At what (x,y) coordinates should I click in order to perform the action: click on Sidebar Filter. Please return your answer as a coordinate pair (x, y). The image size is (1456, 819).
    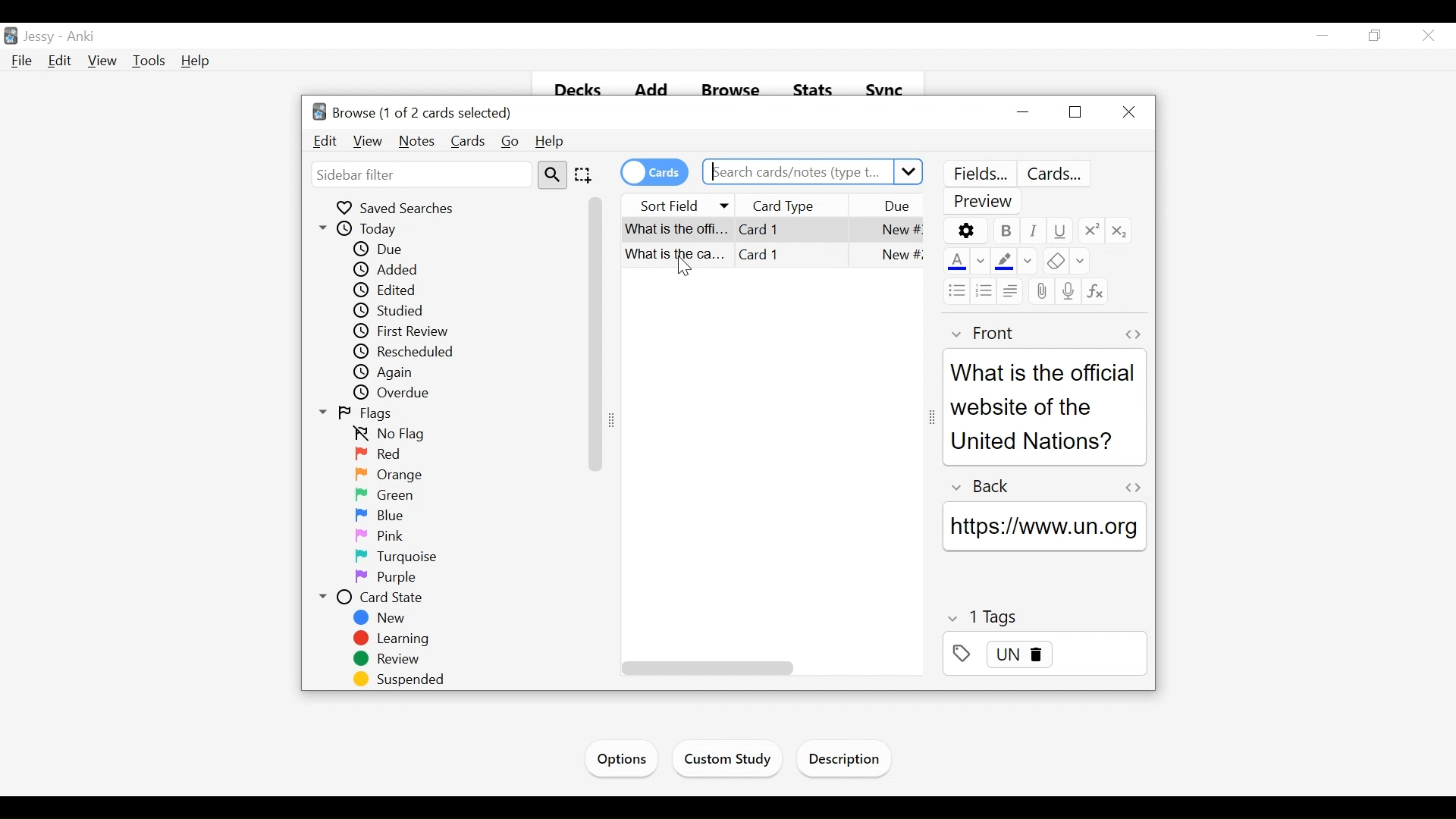
    Looking at the image, I should click on (420, 174).